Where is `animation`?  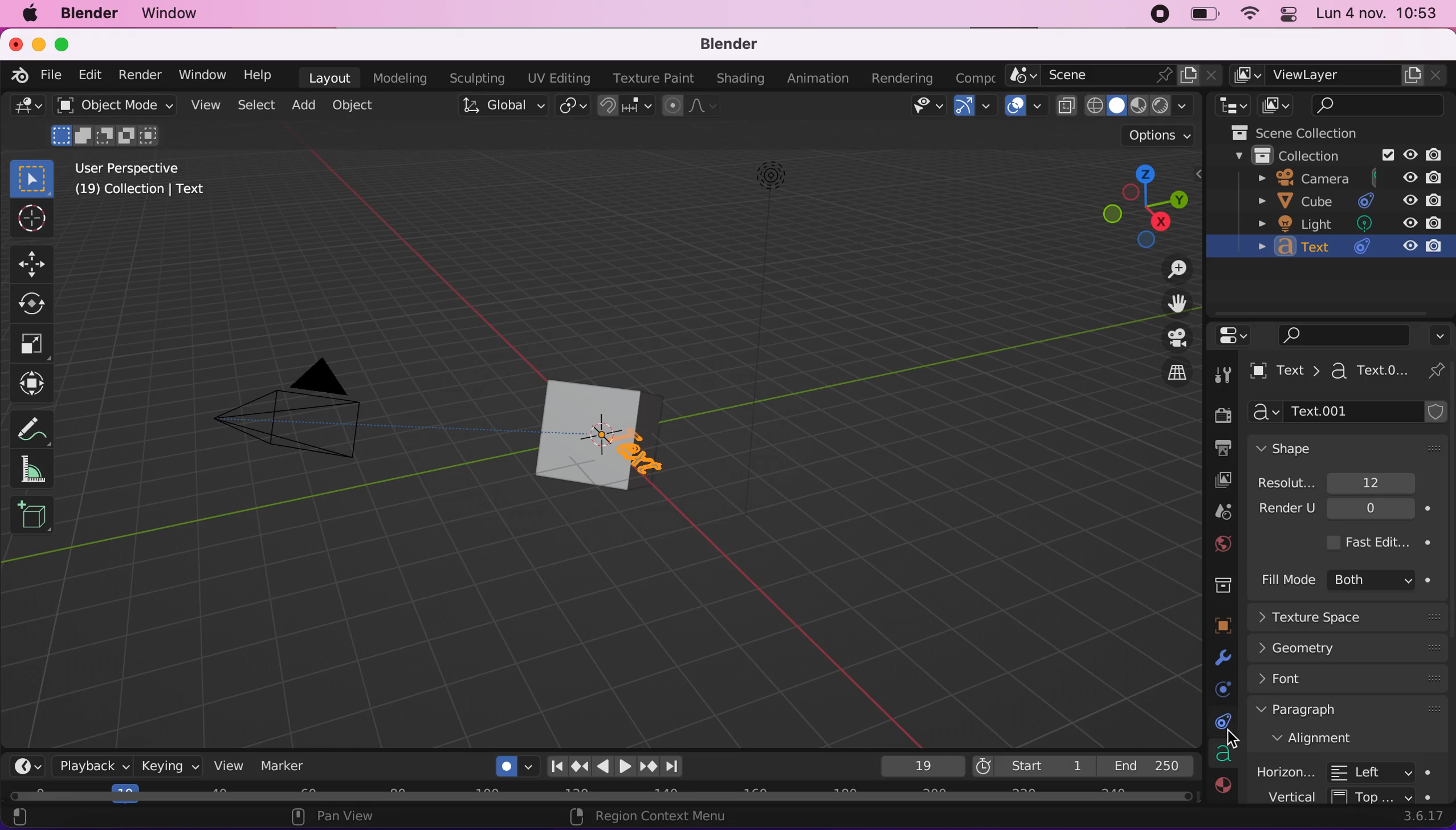 animation is located at coordinates (818, 79).